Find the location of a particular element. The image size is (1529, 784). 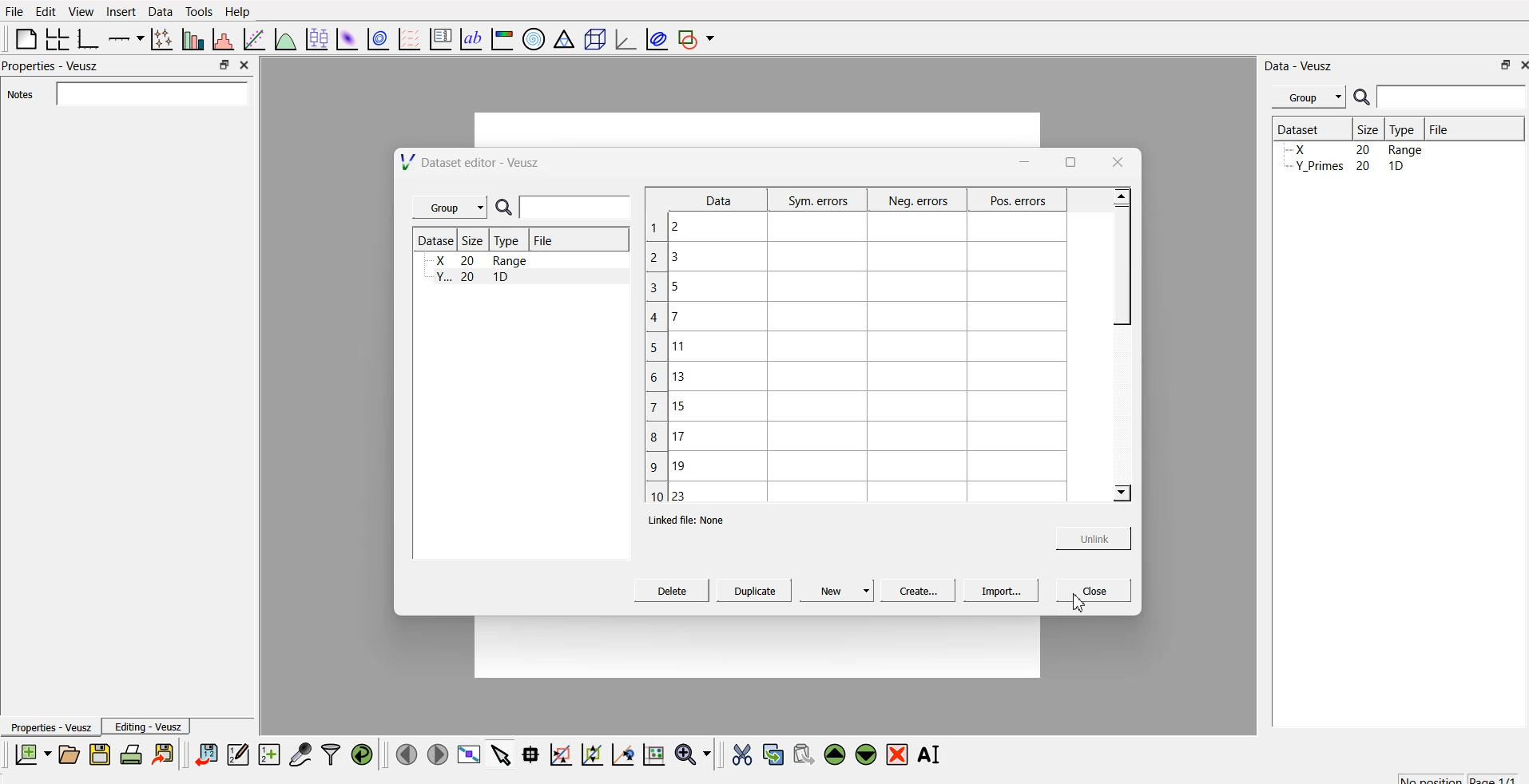

Ternary graph is located at coordinates (565, 38).